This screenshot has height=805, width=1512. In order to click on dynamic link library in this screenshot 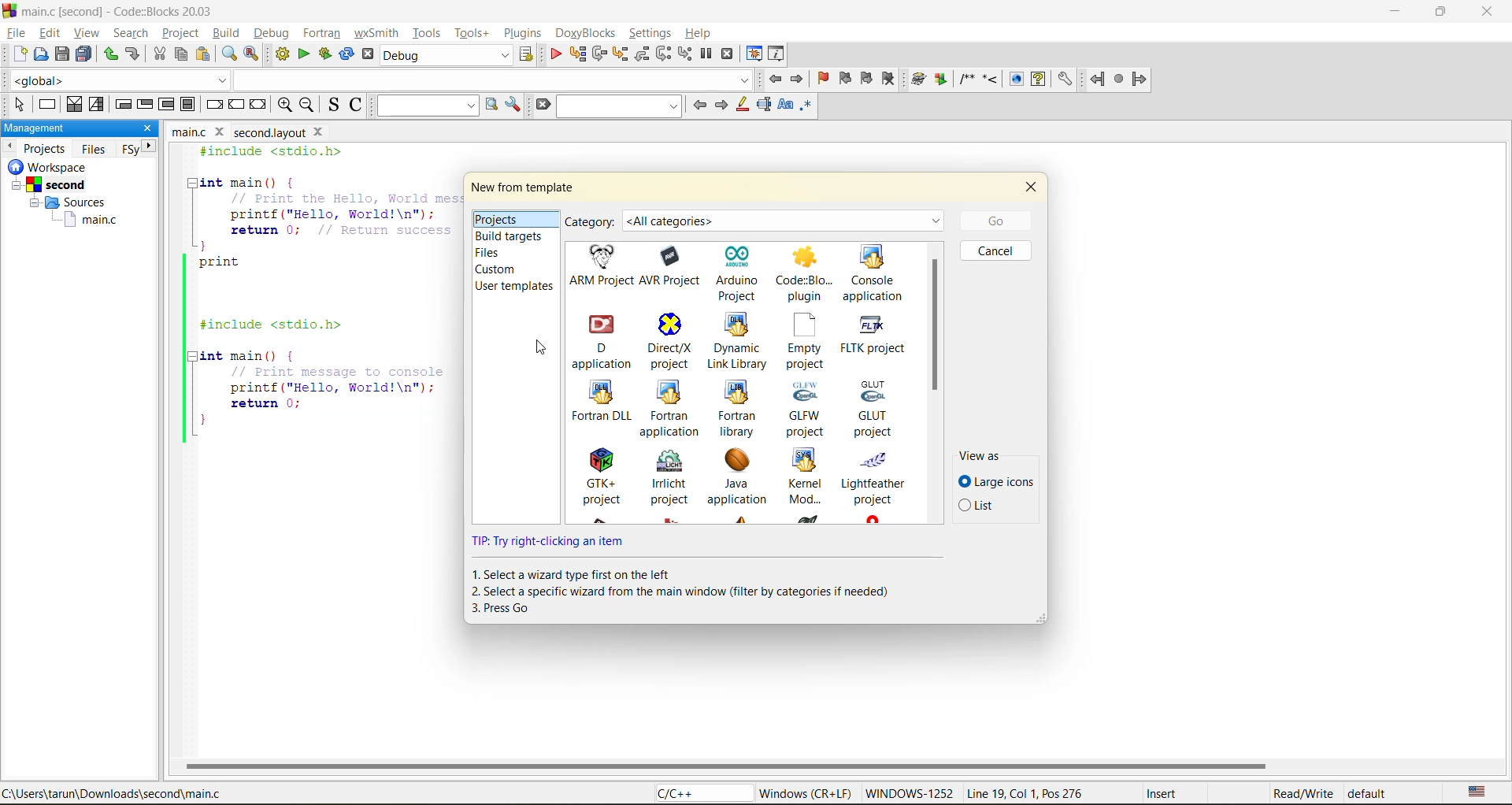, I will do `click(739, 339)`.